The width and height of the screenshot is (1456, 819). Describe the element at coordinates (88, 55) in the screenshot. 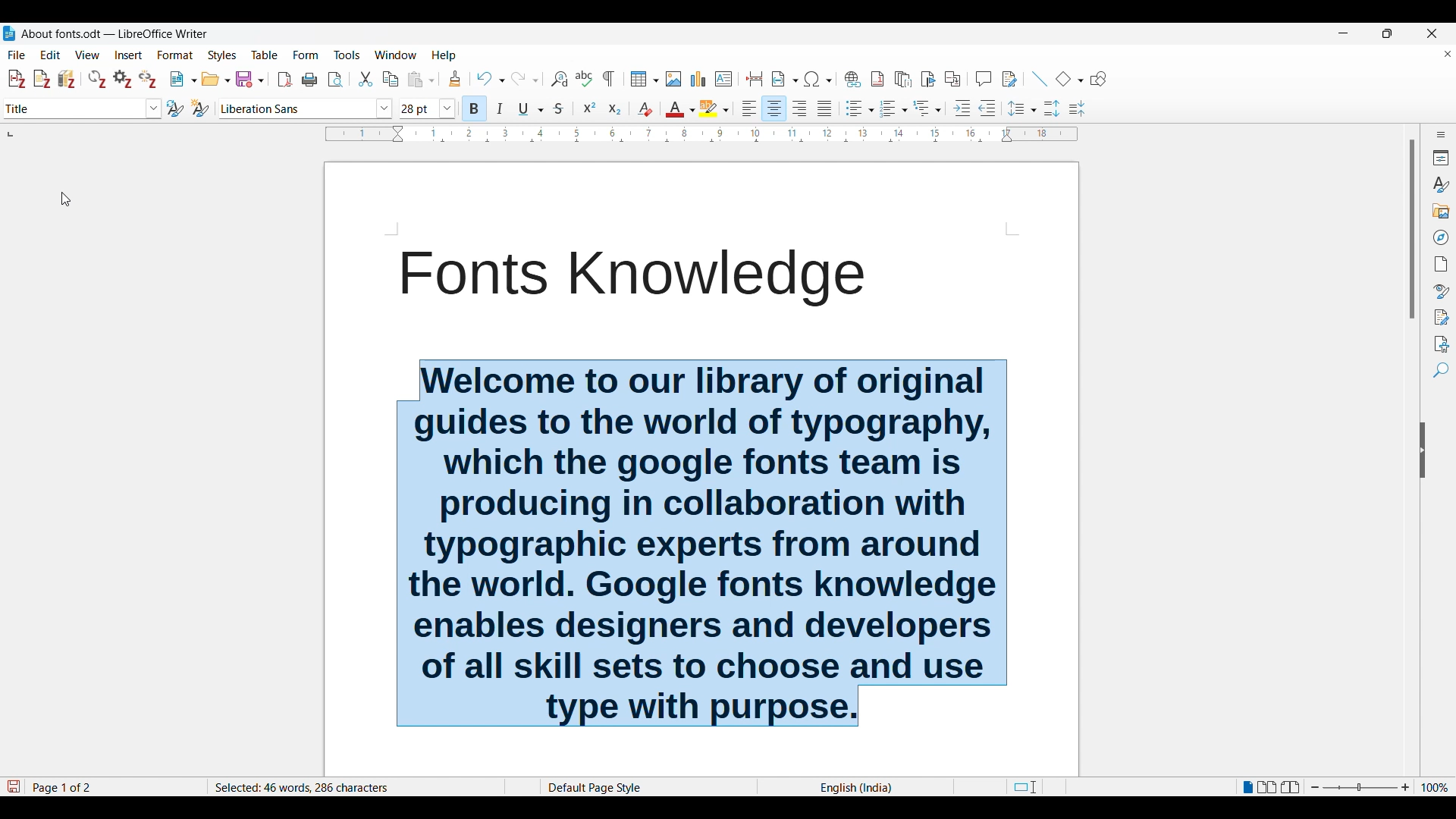

I see `View menu` at that location.